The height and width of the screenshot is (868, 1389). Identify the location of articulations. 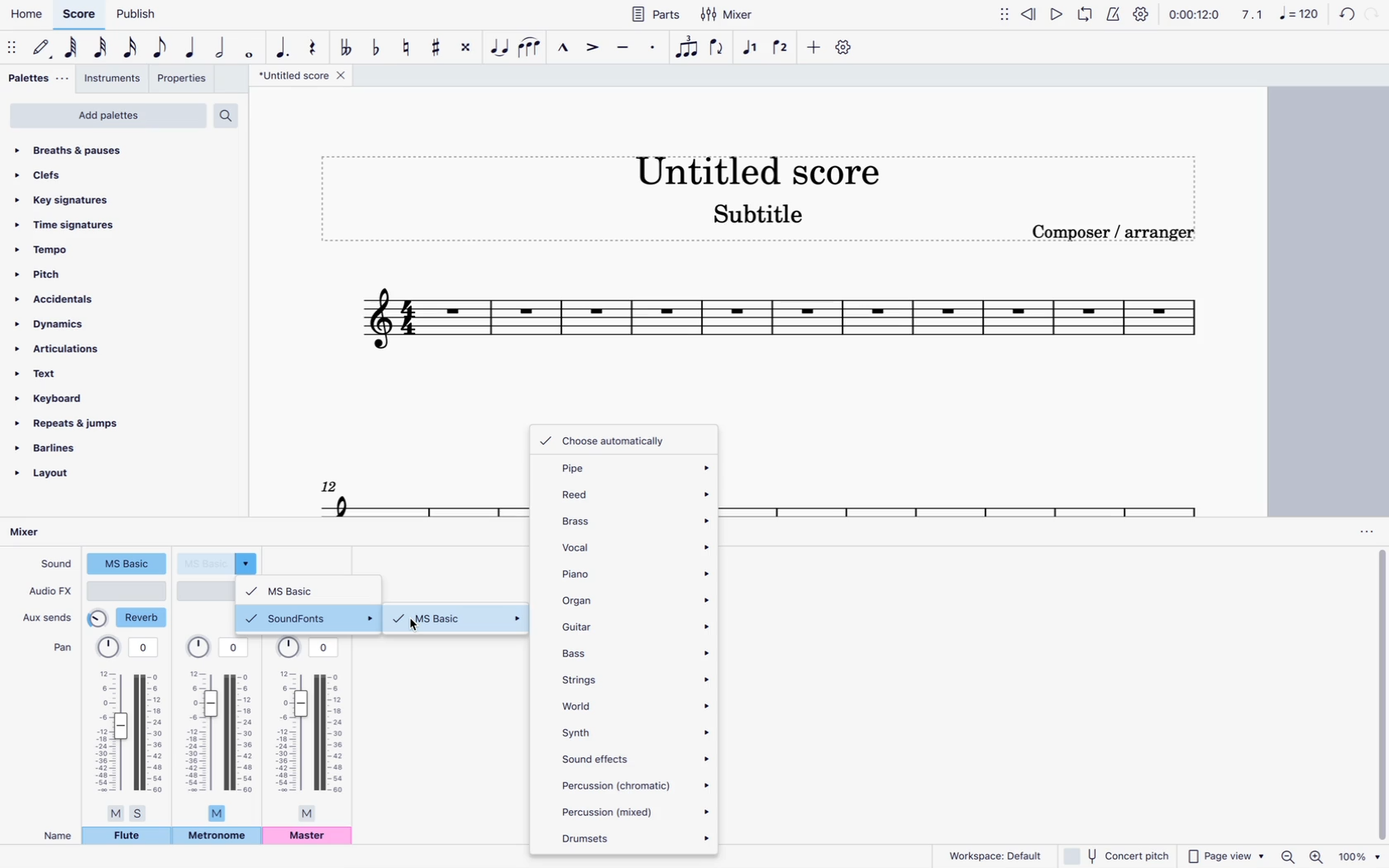
(80, 349).